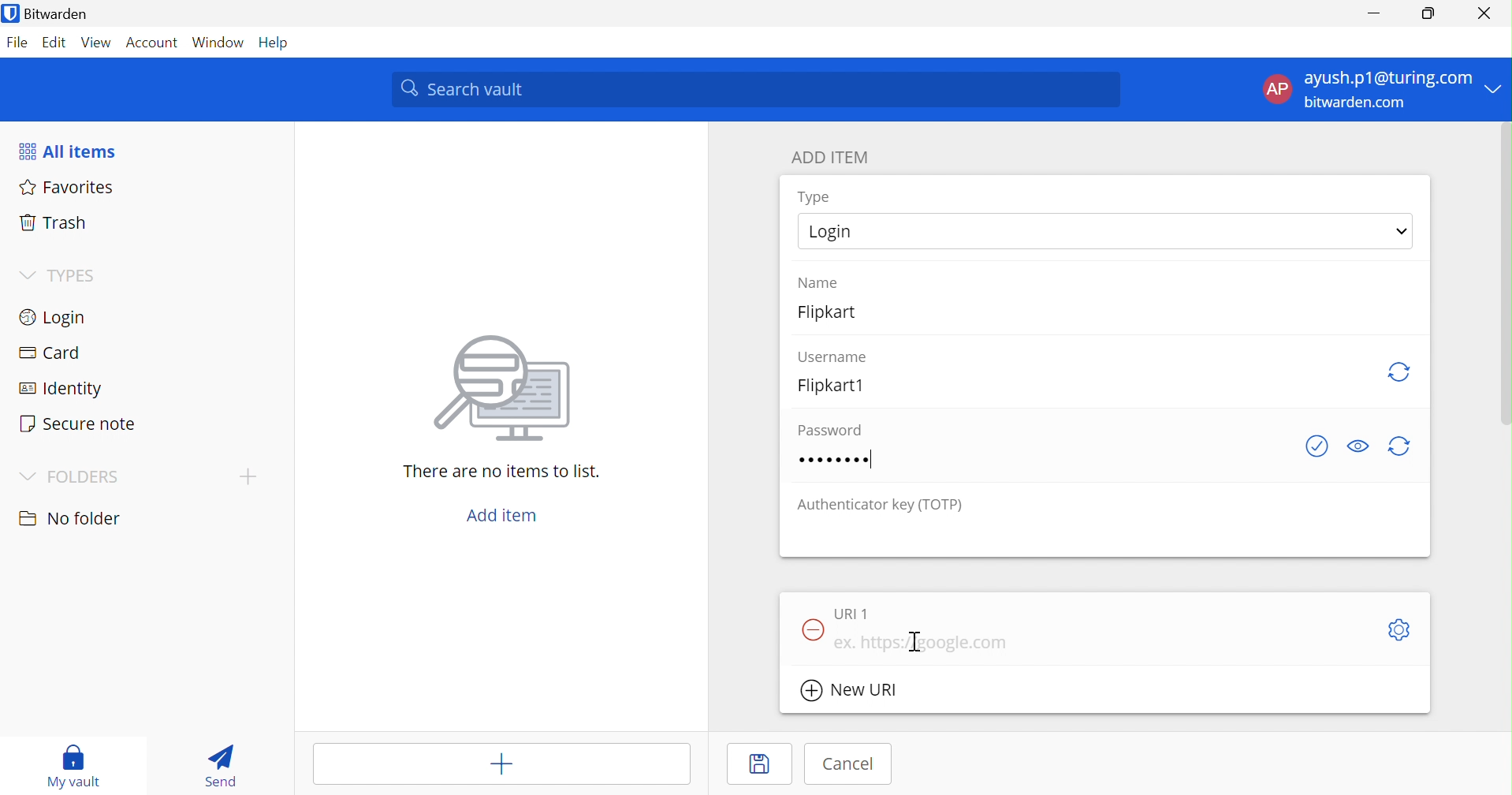 Image resolution: width=1512 pixels, height=795 pixels. Describe the element at coordinates (501, 765) in the screenshot. I see `Add item` at that location.